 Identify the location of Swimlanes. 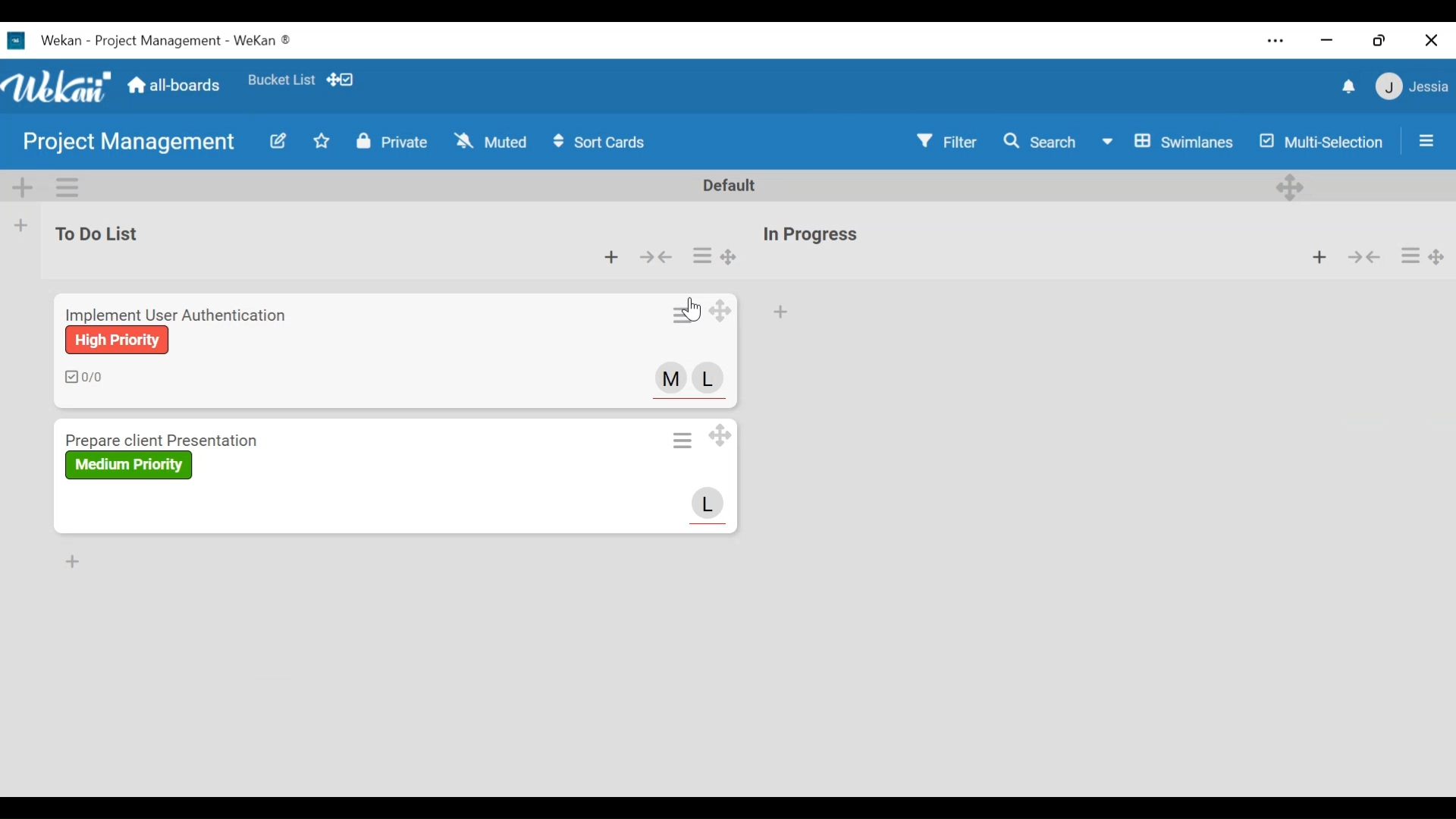
(1169, 142).